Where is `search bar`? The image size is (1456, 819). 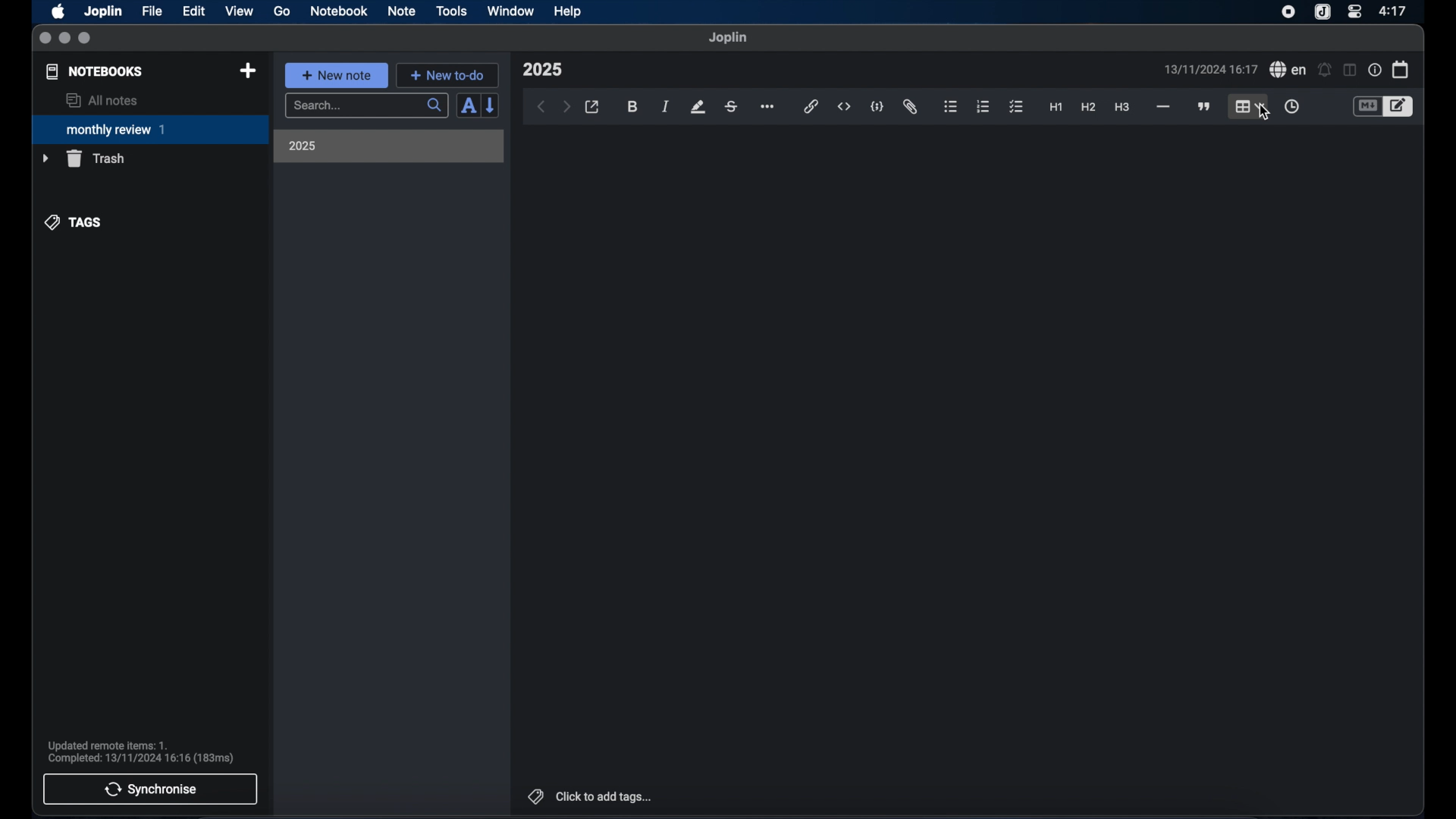 search bar is located at coordinates (366, 107).